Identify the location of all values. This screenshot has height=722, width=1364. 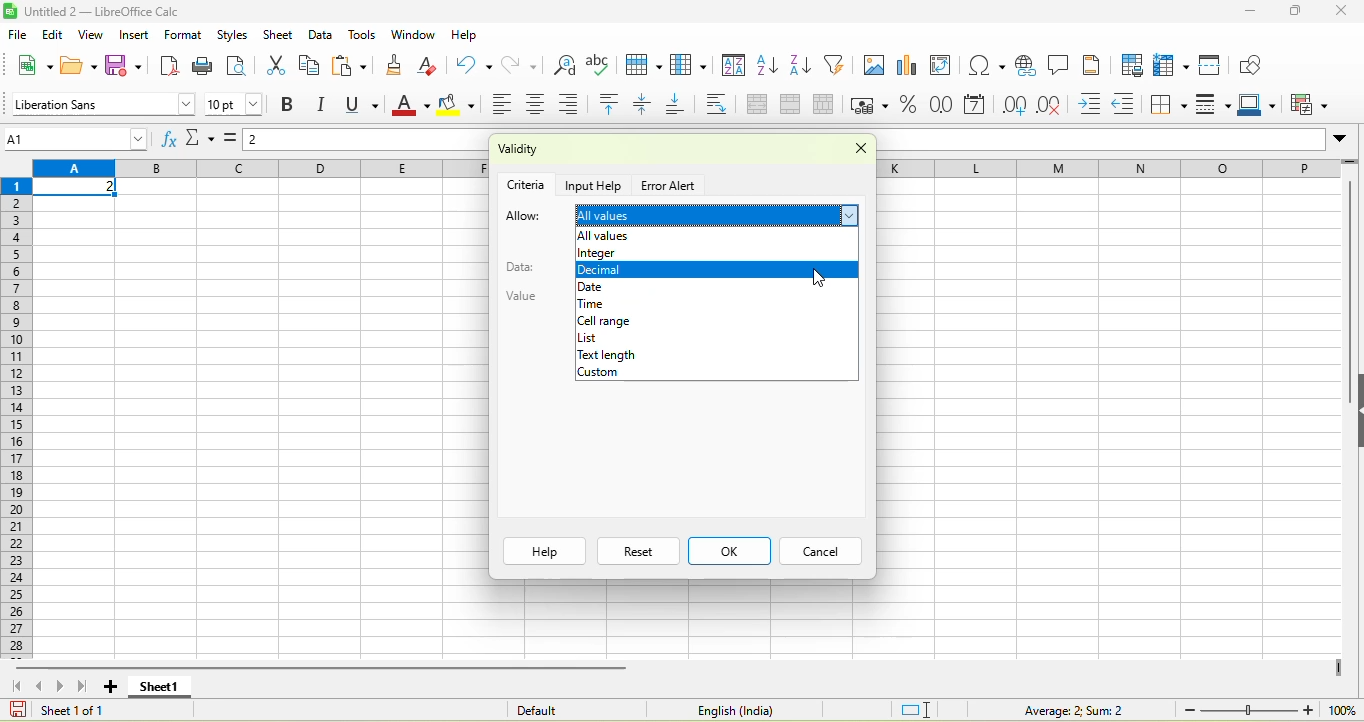
(719, 216).